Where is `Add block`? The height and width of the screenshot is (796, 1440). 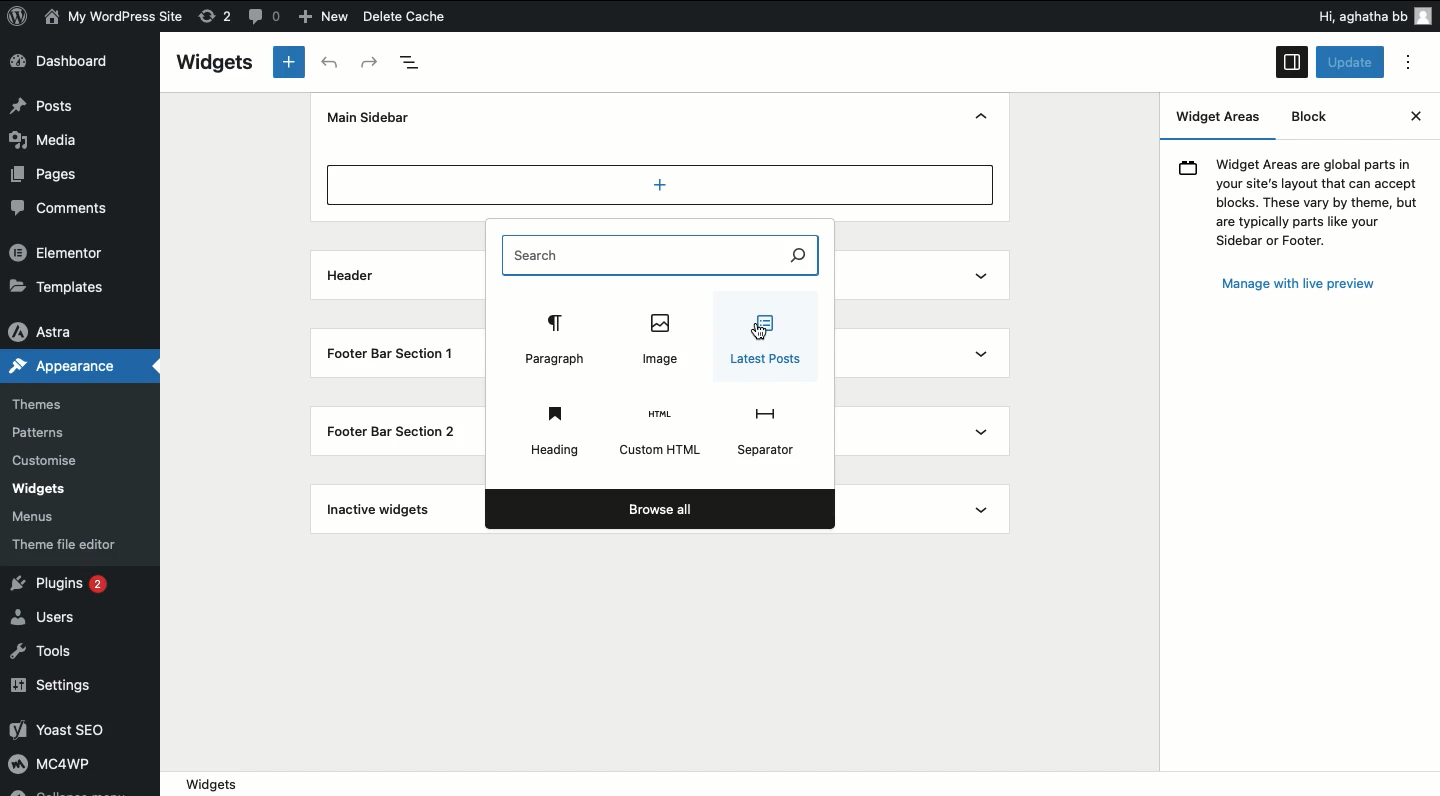
Add block is located at coordinates (662, 221).